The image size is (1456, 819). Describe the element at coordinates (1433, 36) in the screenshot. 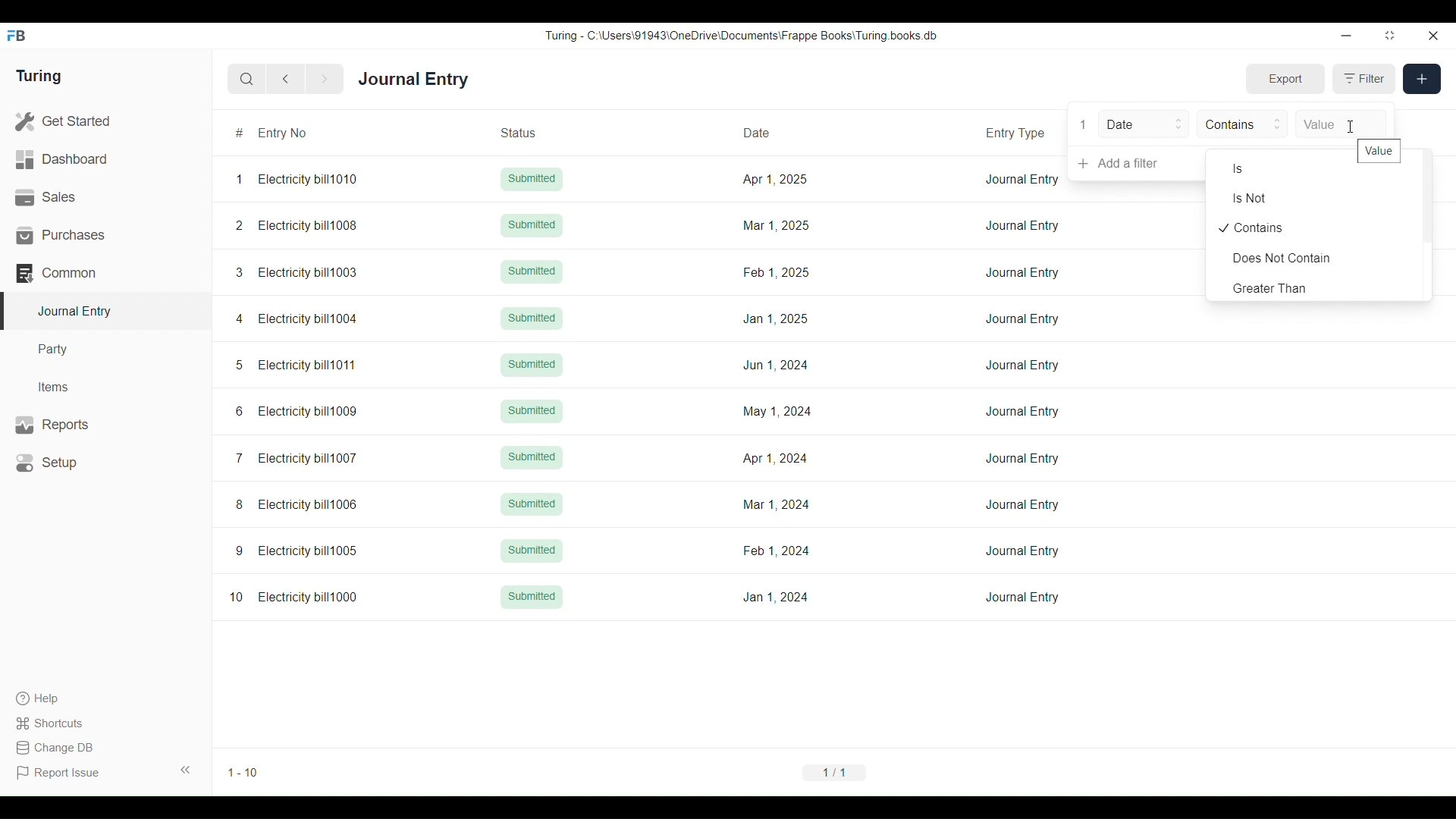

I see `Close` at that location.